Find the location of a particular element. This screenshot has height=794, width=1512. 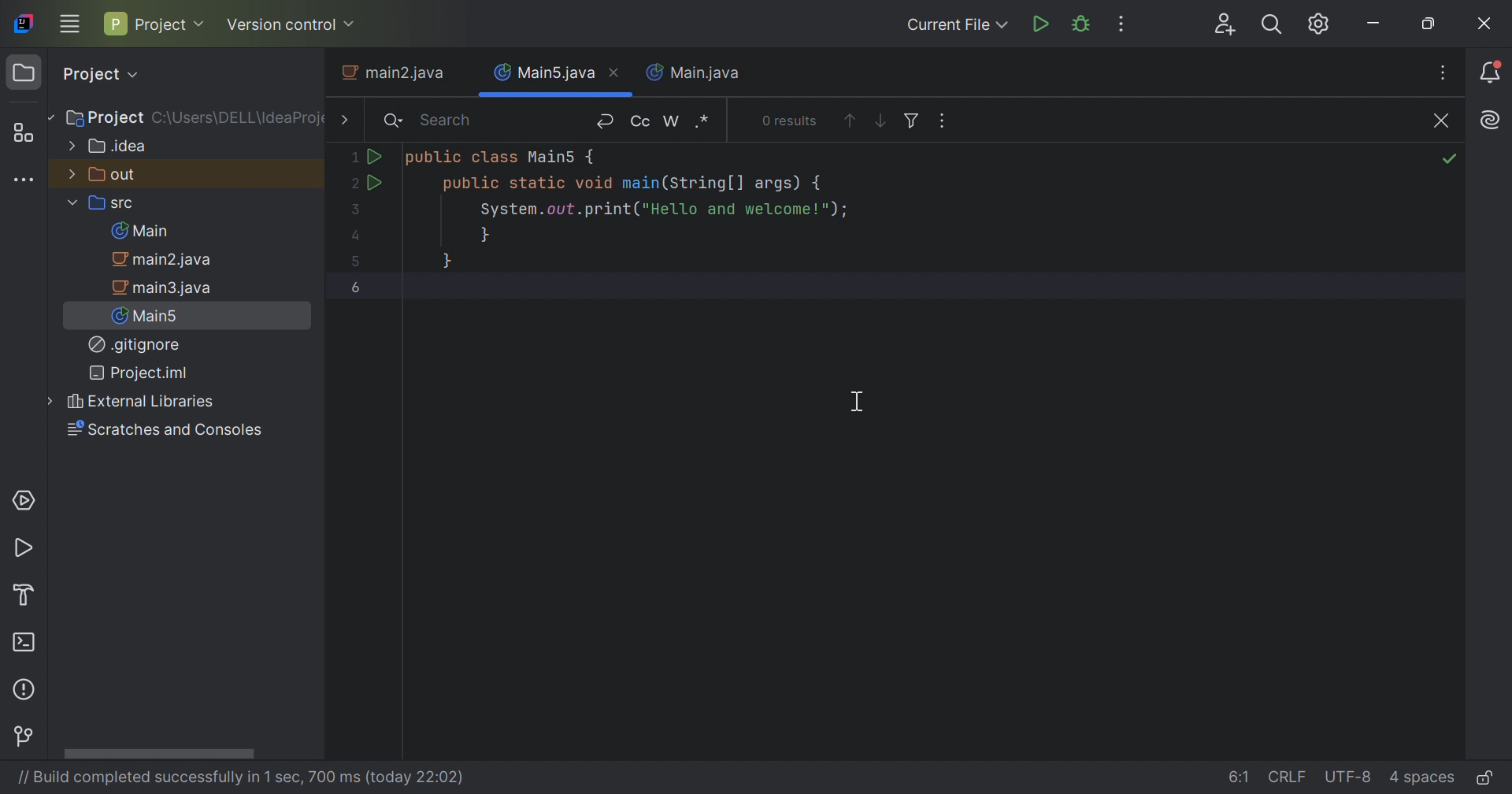

out is located at coordinates (103, 173).